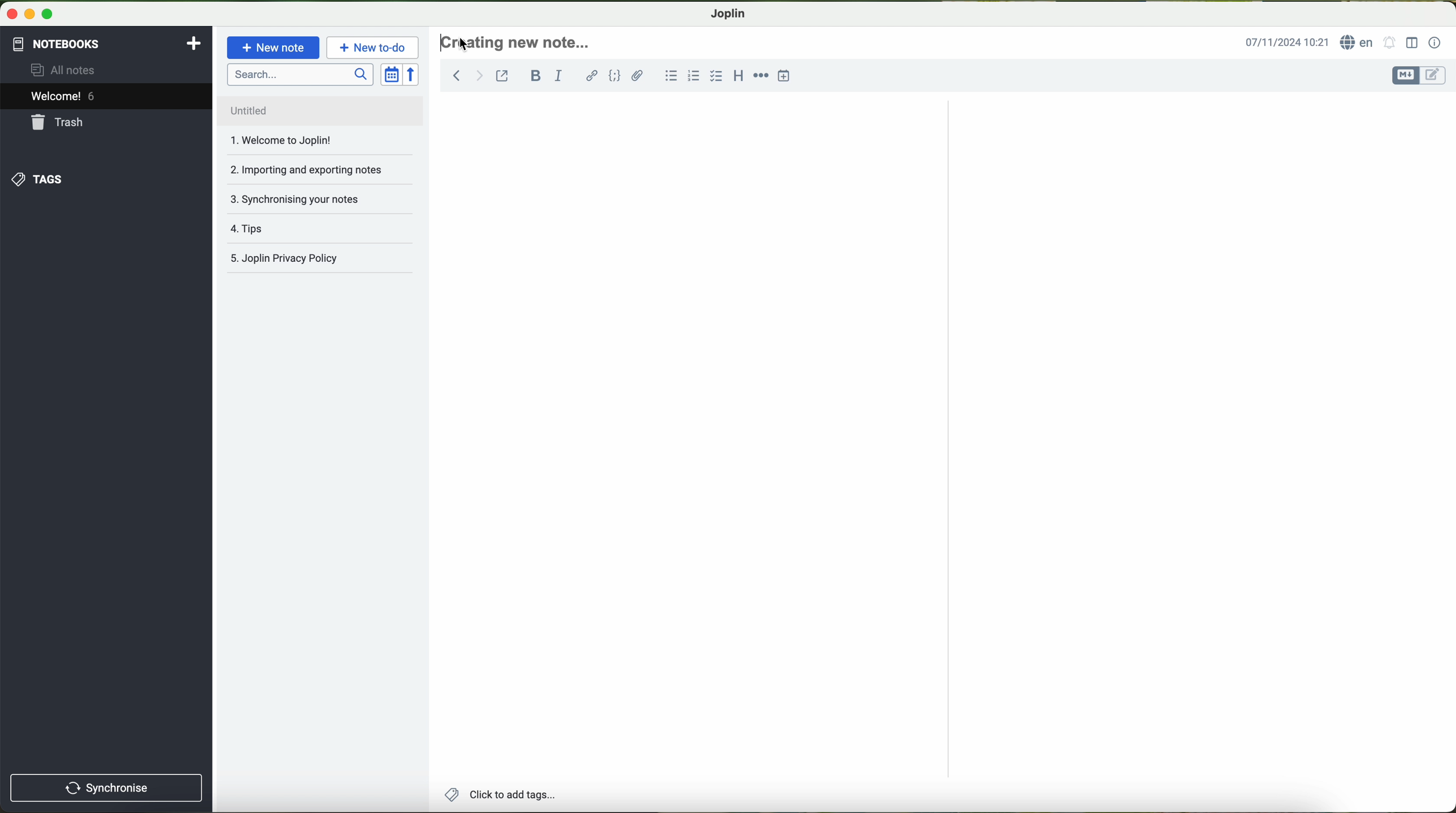  I want to click on checkbox, so click(717, 77).